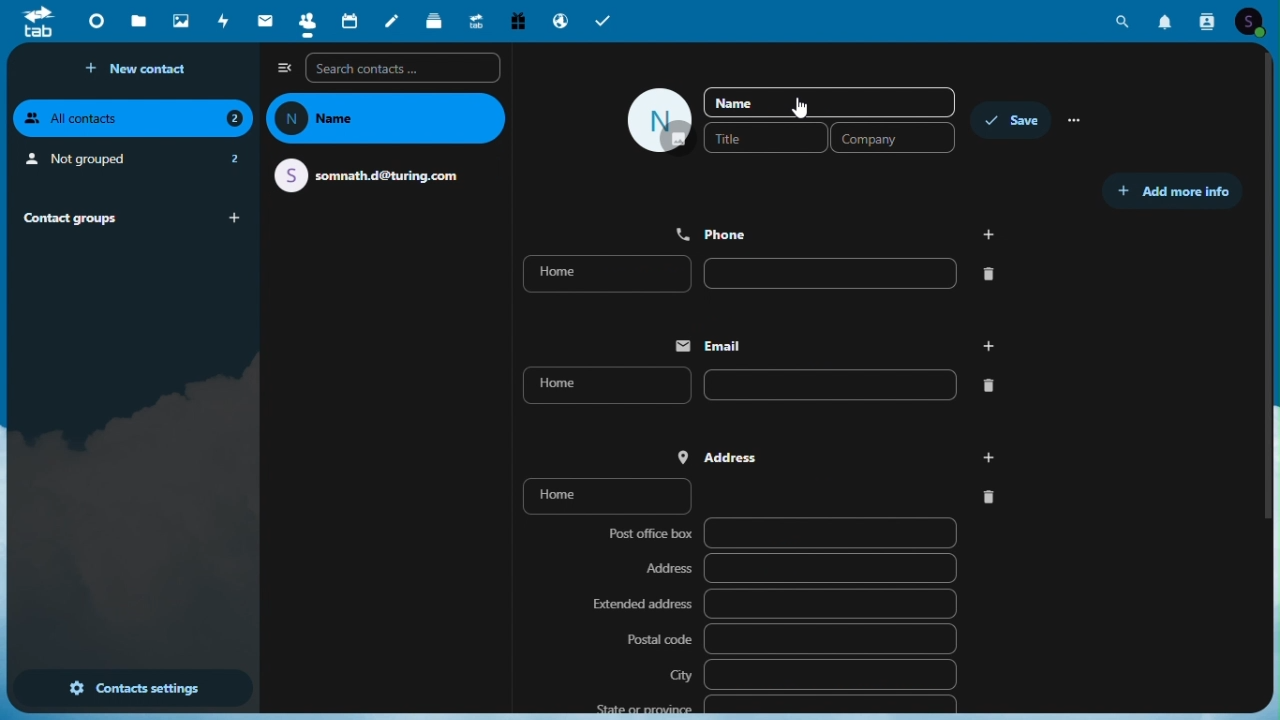 This screenshot has height=720, width=1280. I want to click on Upgrade, so click(476, 19).